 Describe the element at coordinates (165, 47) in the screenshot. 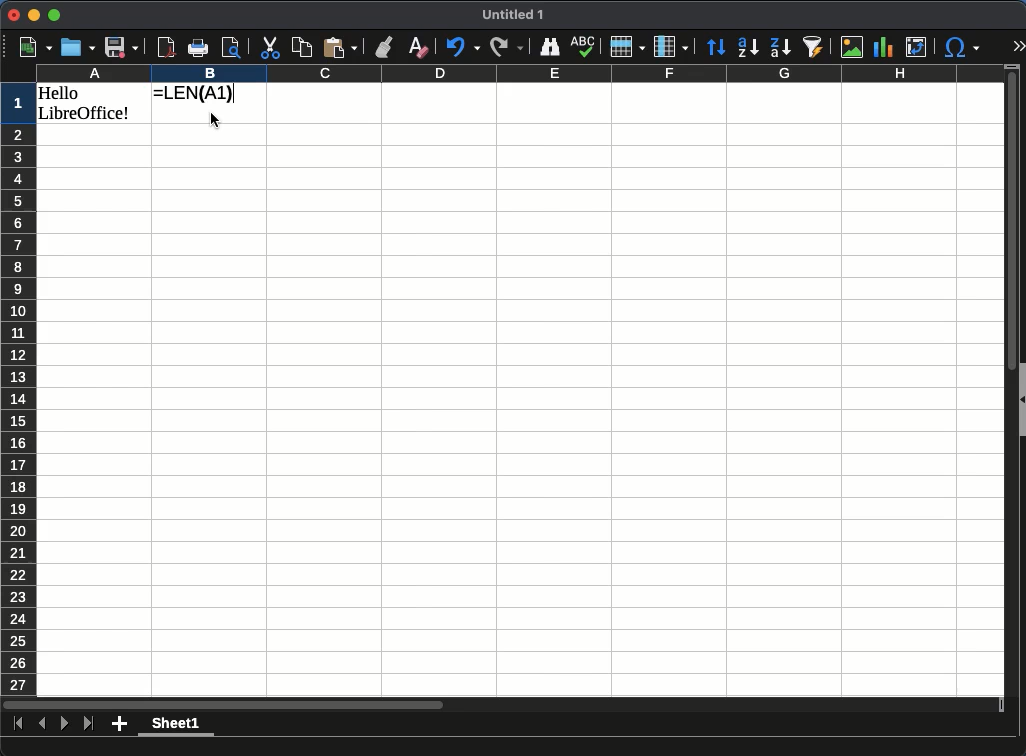

I see `pdf` at that location.